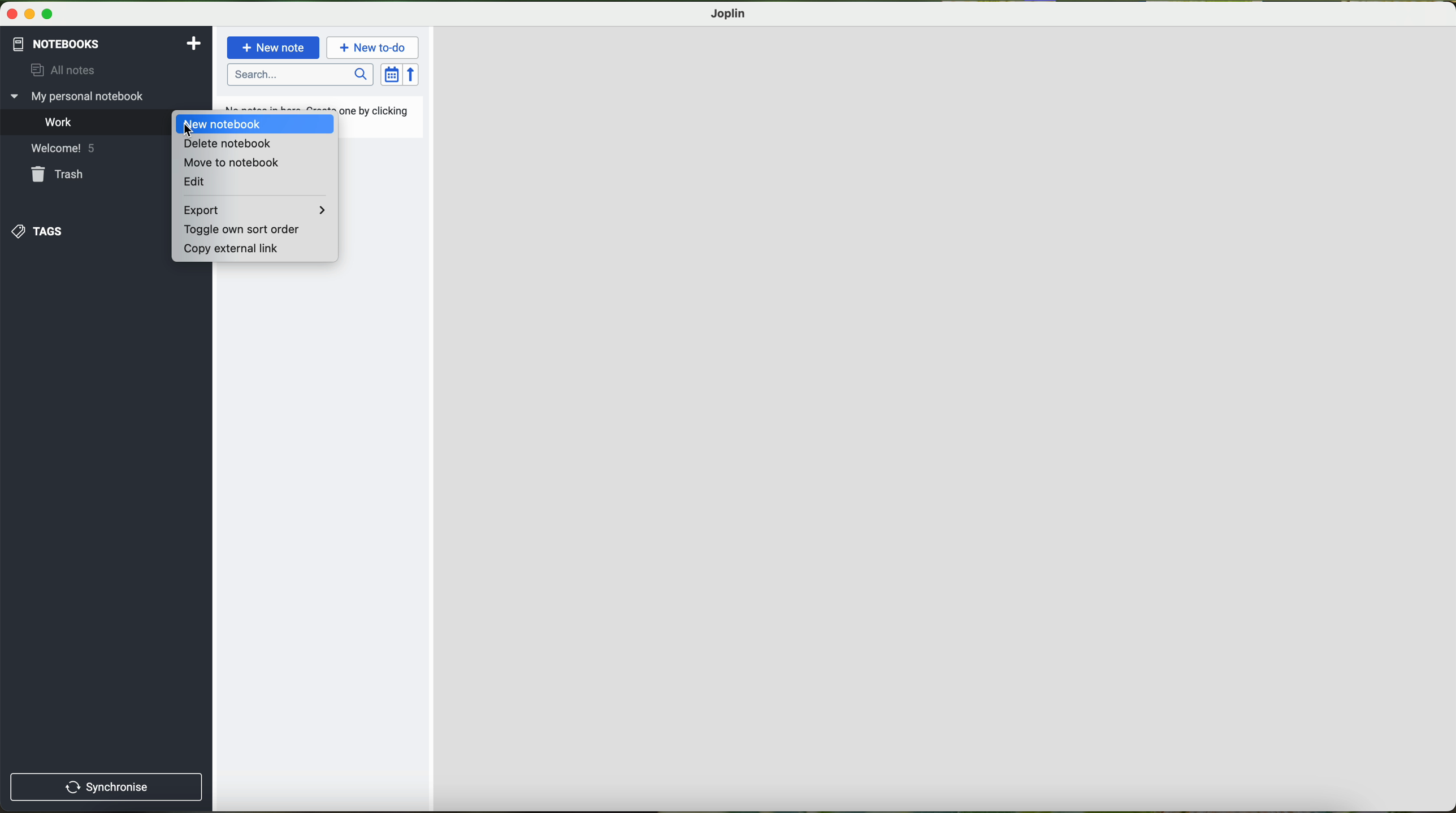  I want to click on move to notebook, so click(229, 163).